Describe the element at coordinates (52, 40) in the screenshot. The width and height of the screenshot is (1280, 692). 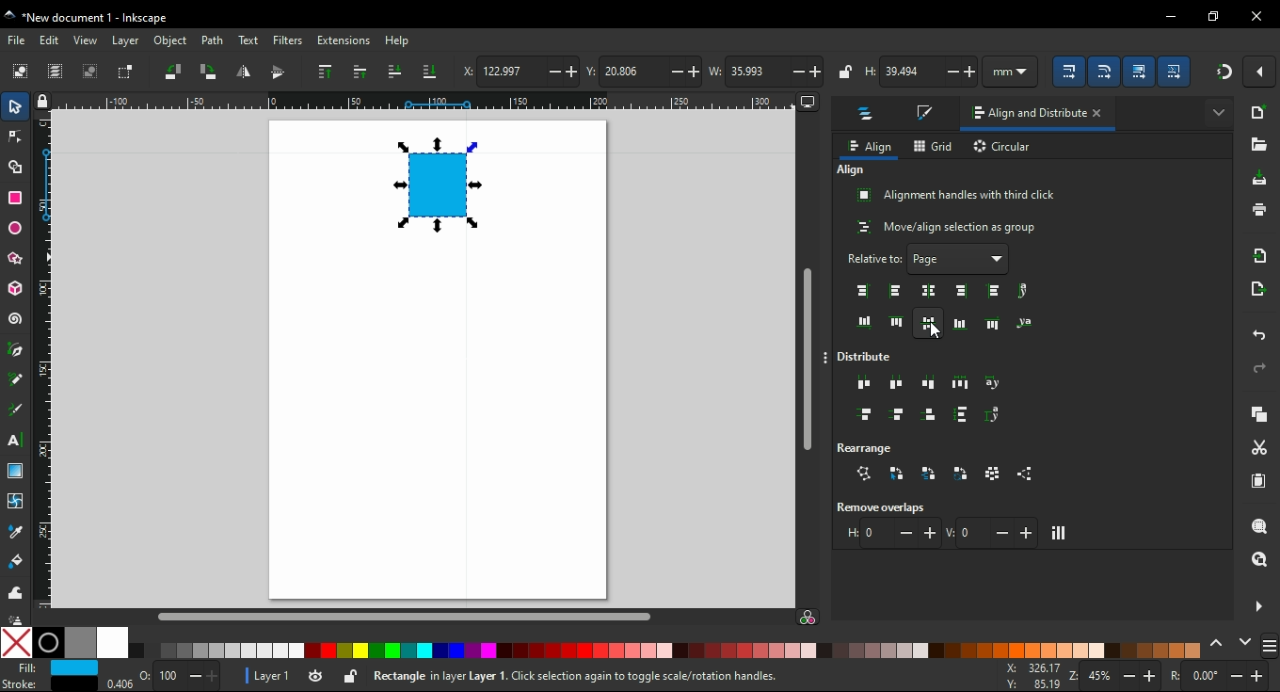
I see `edit` at that location.